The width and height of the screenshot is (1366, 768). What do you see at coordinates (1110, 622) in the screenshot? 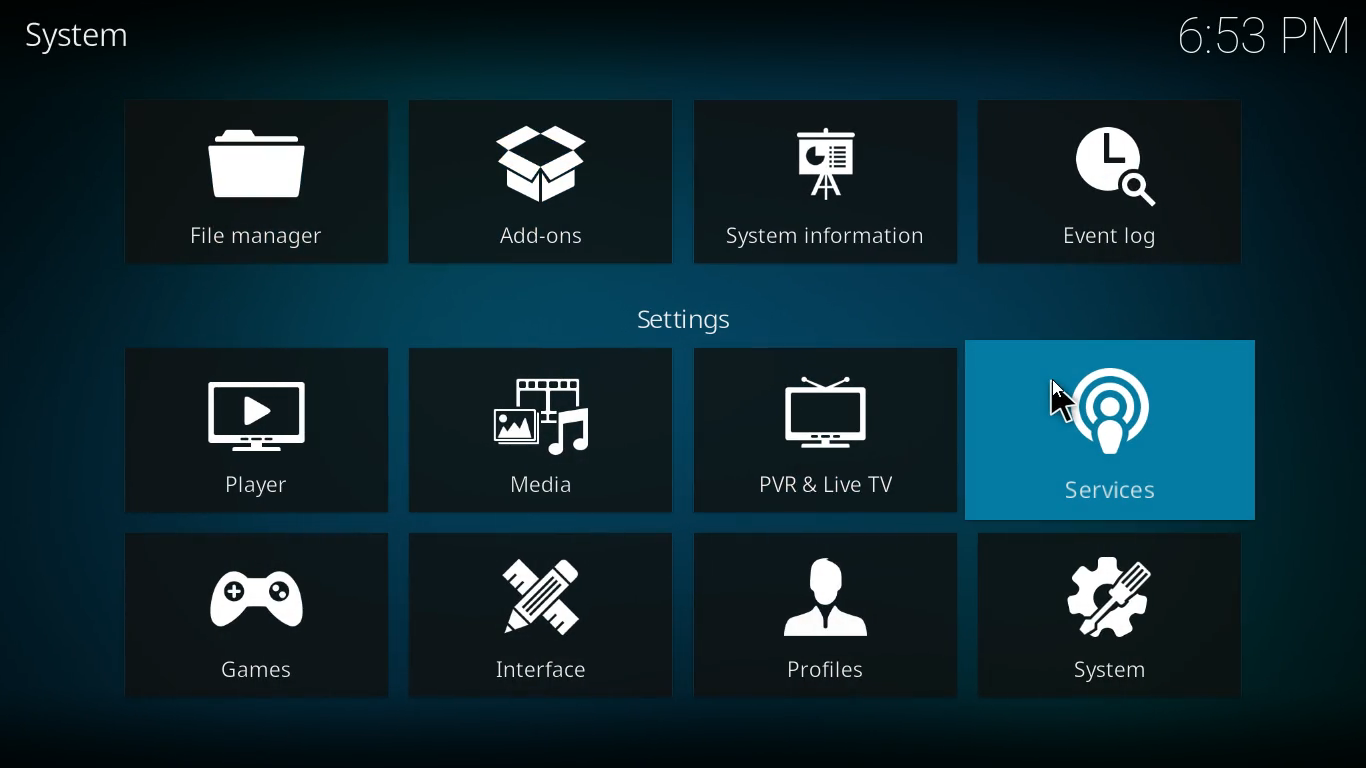
I see `system` at bounding box center [1110, 622].